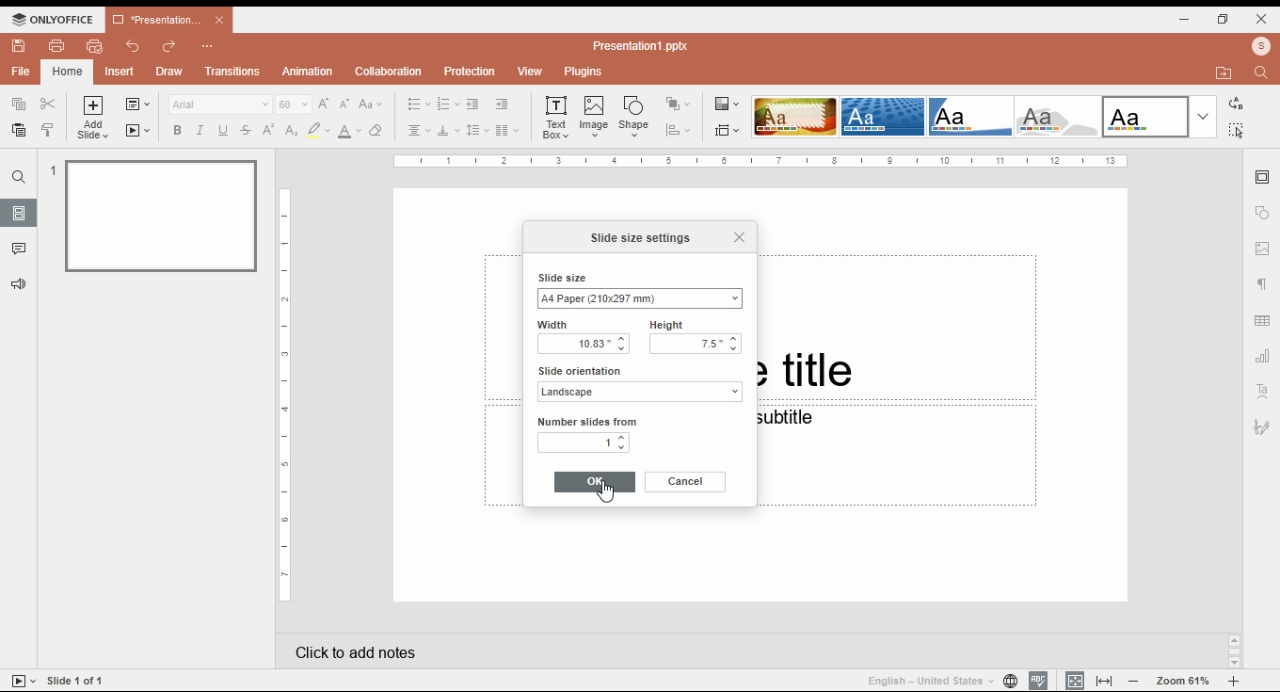 The image size is (1280, 692). Describe the element at coordinates (1227, 74) in the screenshot. I see `open file location` at that location.